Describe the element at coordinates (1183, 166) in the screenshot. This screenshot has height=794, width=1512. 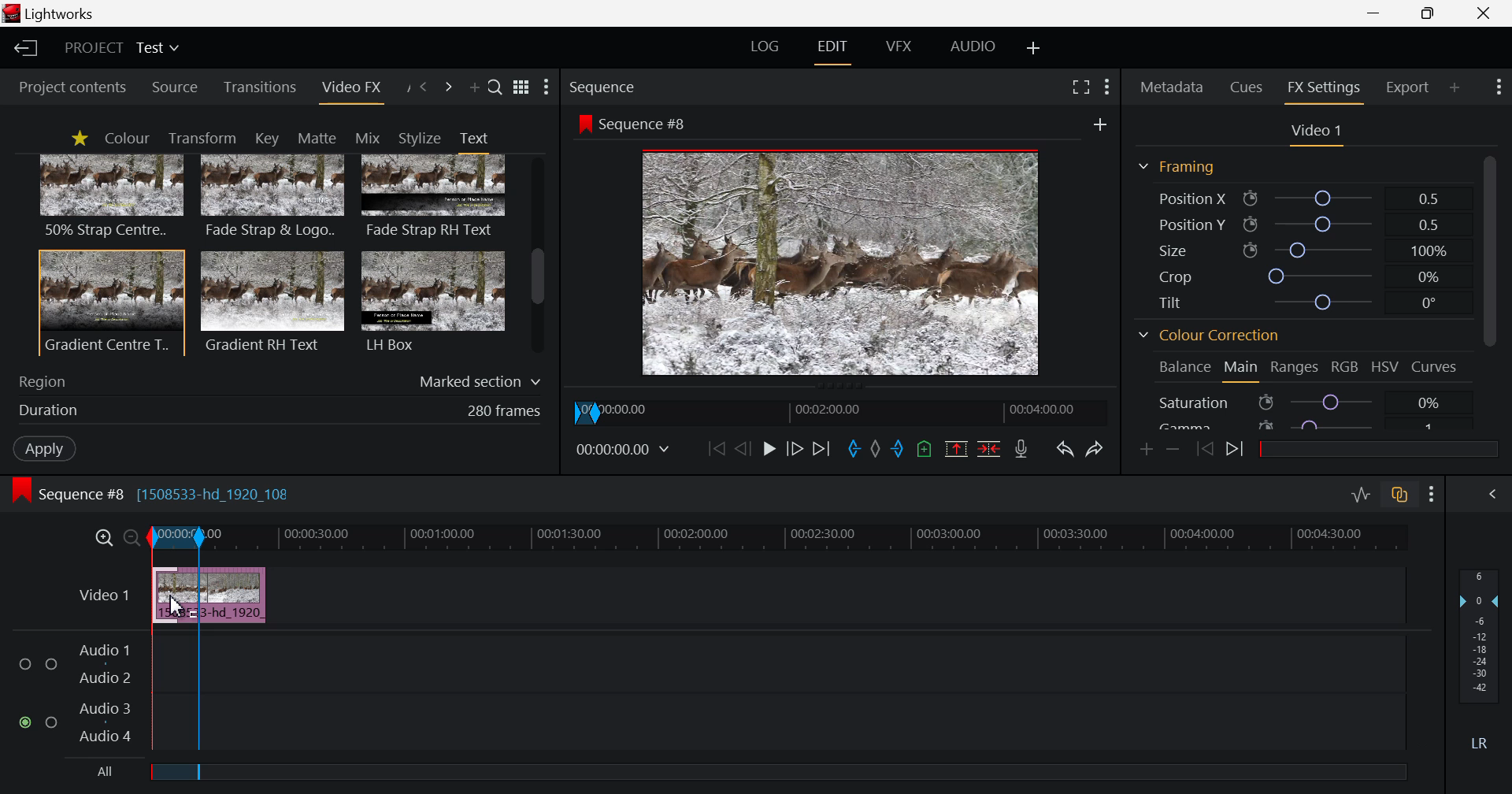
I see `Framing Section` at that location.